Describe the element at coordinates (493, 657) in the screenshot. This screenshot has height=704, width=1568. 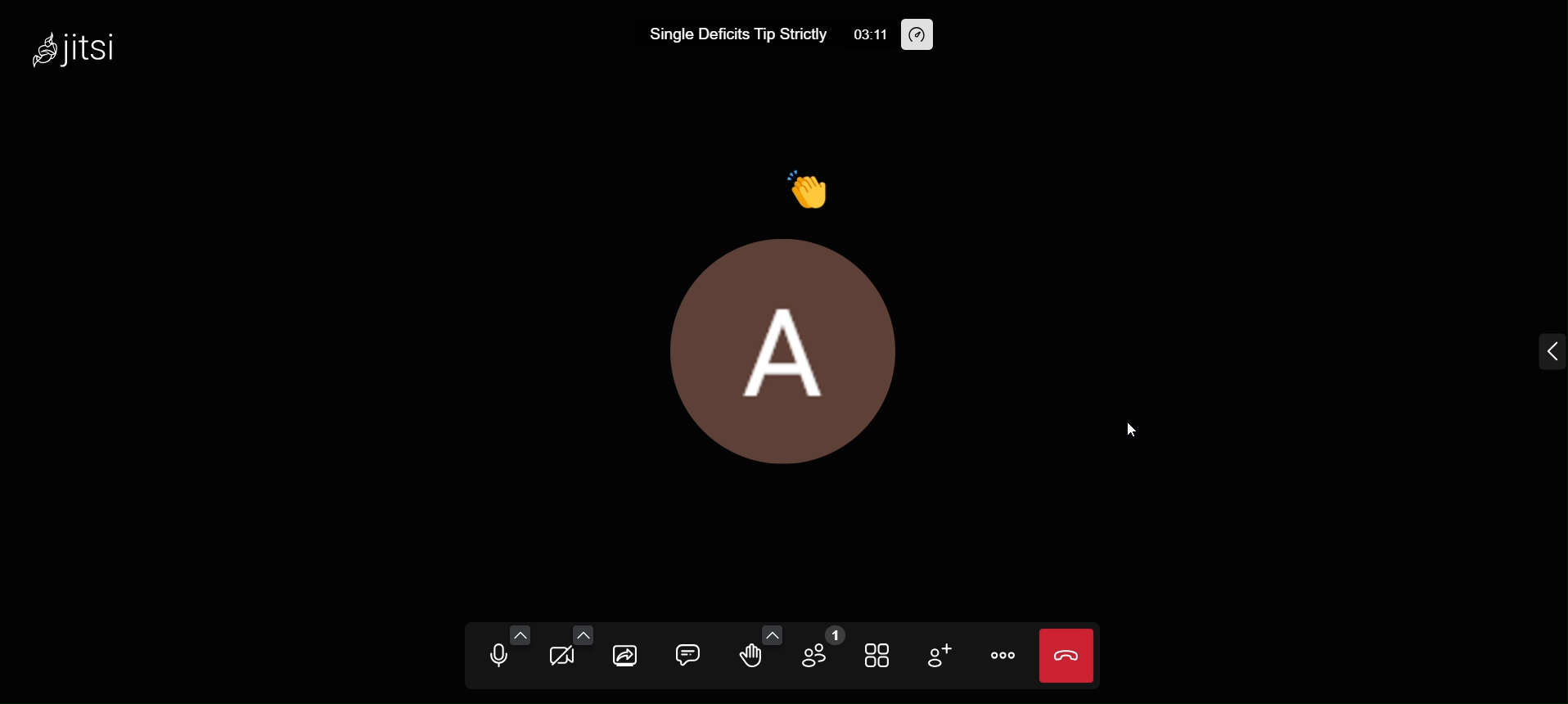
I see `use microphone` at that location.